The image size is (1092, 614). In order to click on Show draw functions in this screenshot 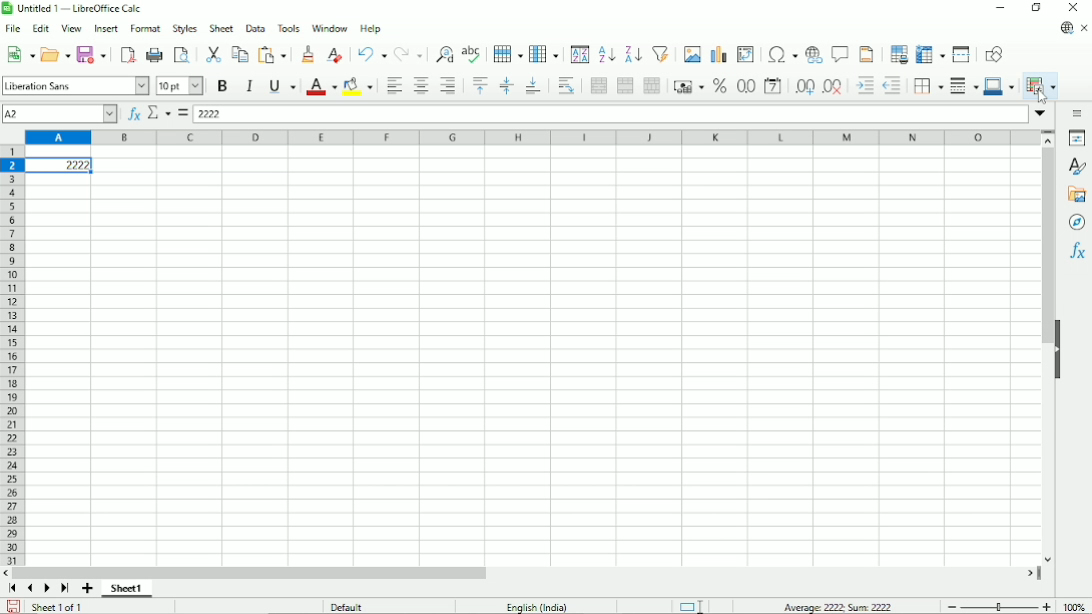, I will do `click(994, 54)`.